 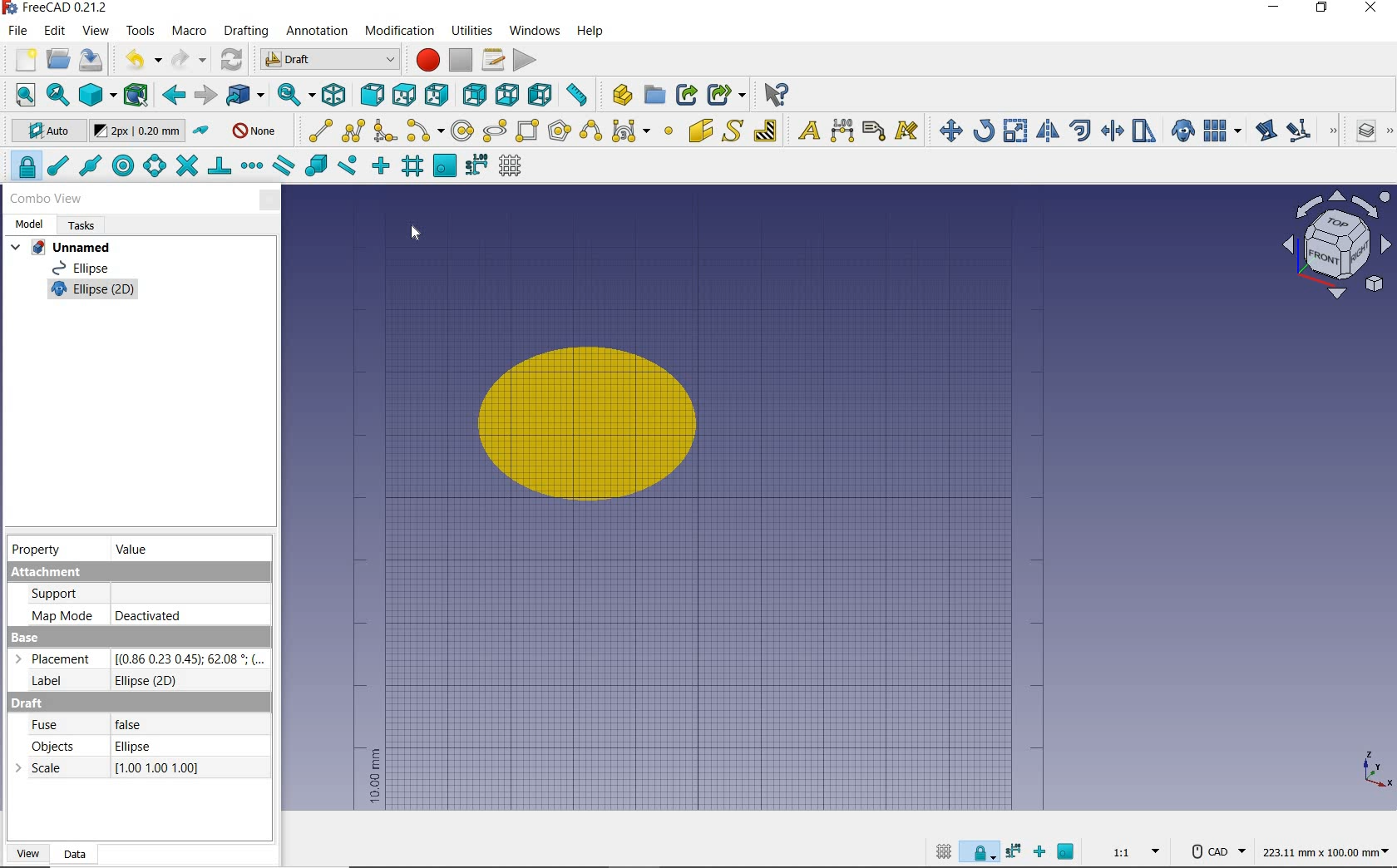 What do you see at coordinates (294, 94) in the screenshot?
I see `sync view` at bounding box center [294, 94].